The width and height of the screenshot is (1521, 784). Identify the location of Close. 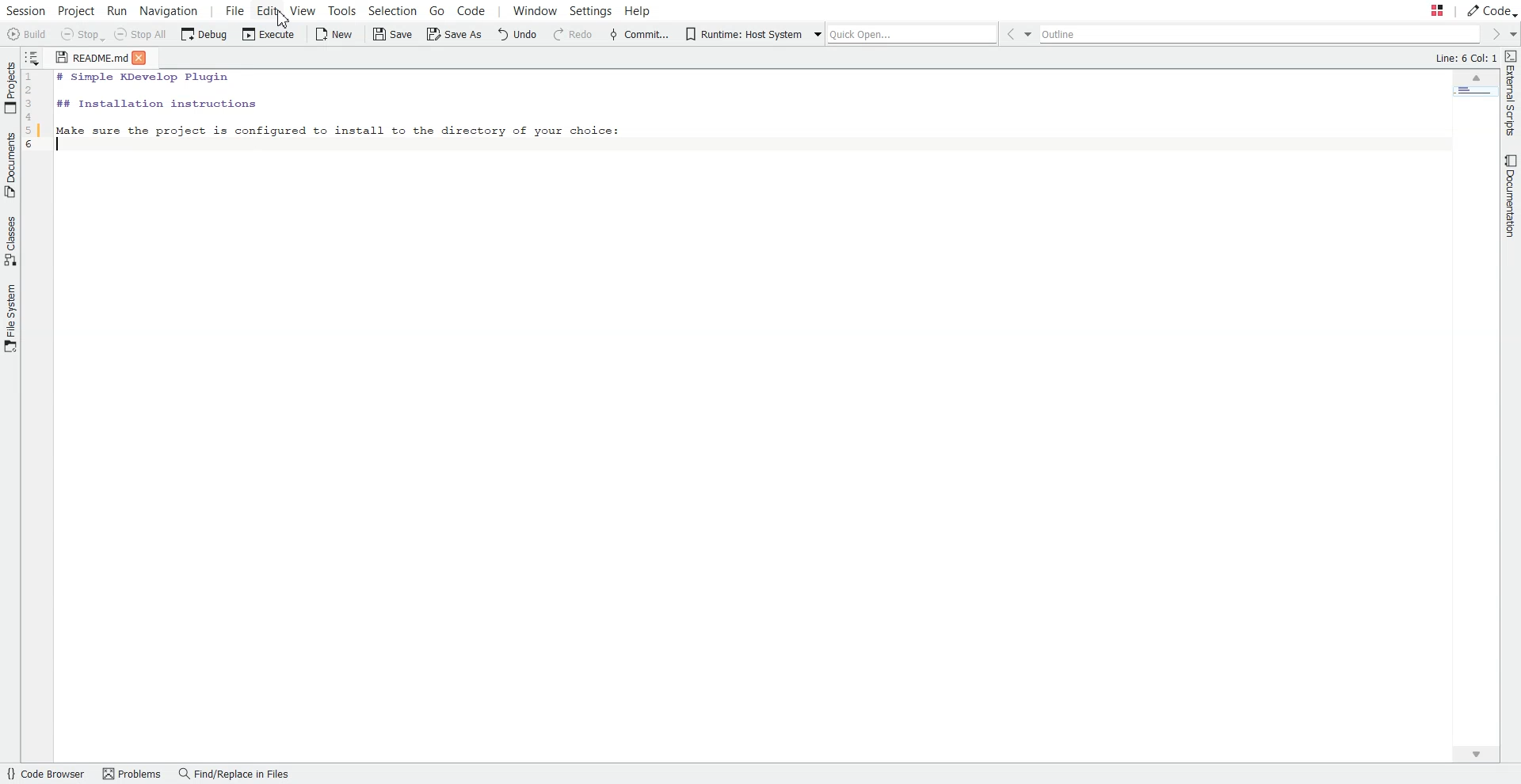
(145, 57).